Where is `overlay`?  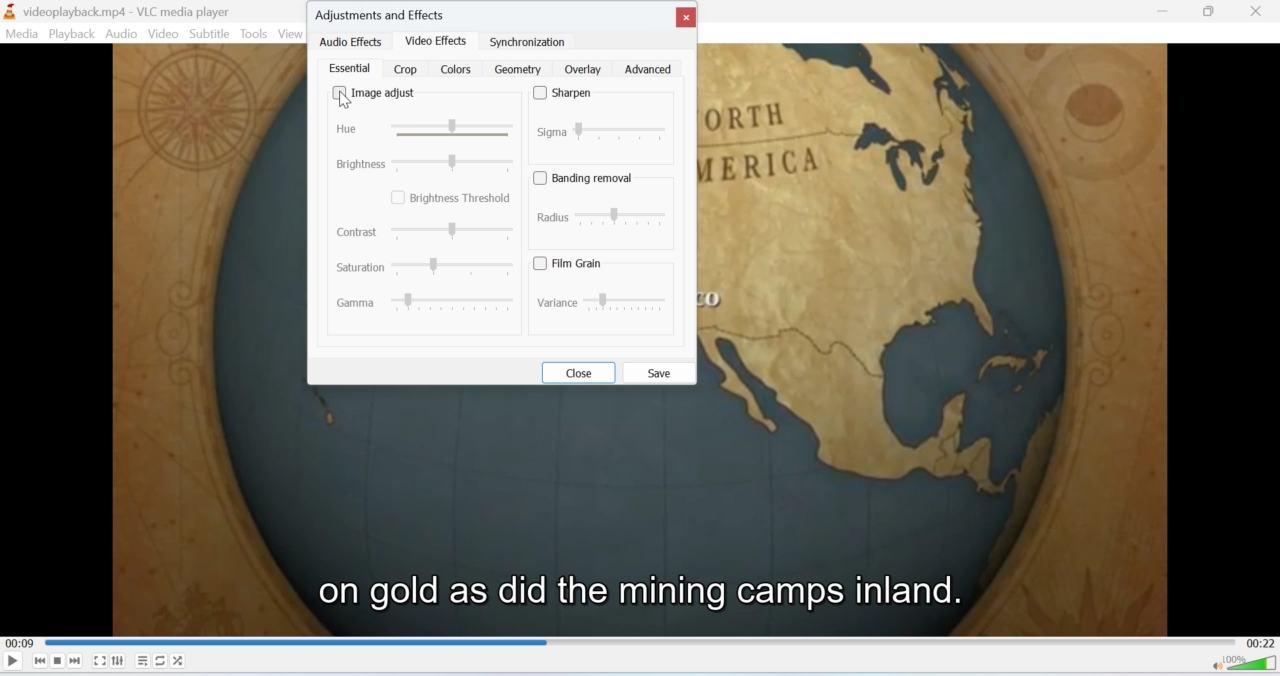
overlay is located at coordinates (582, 70).